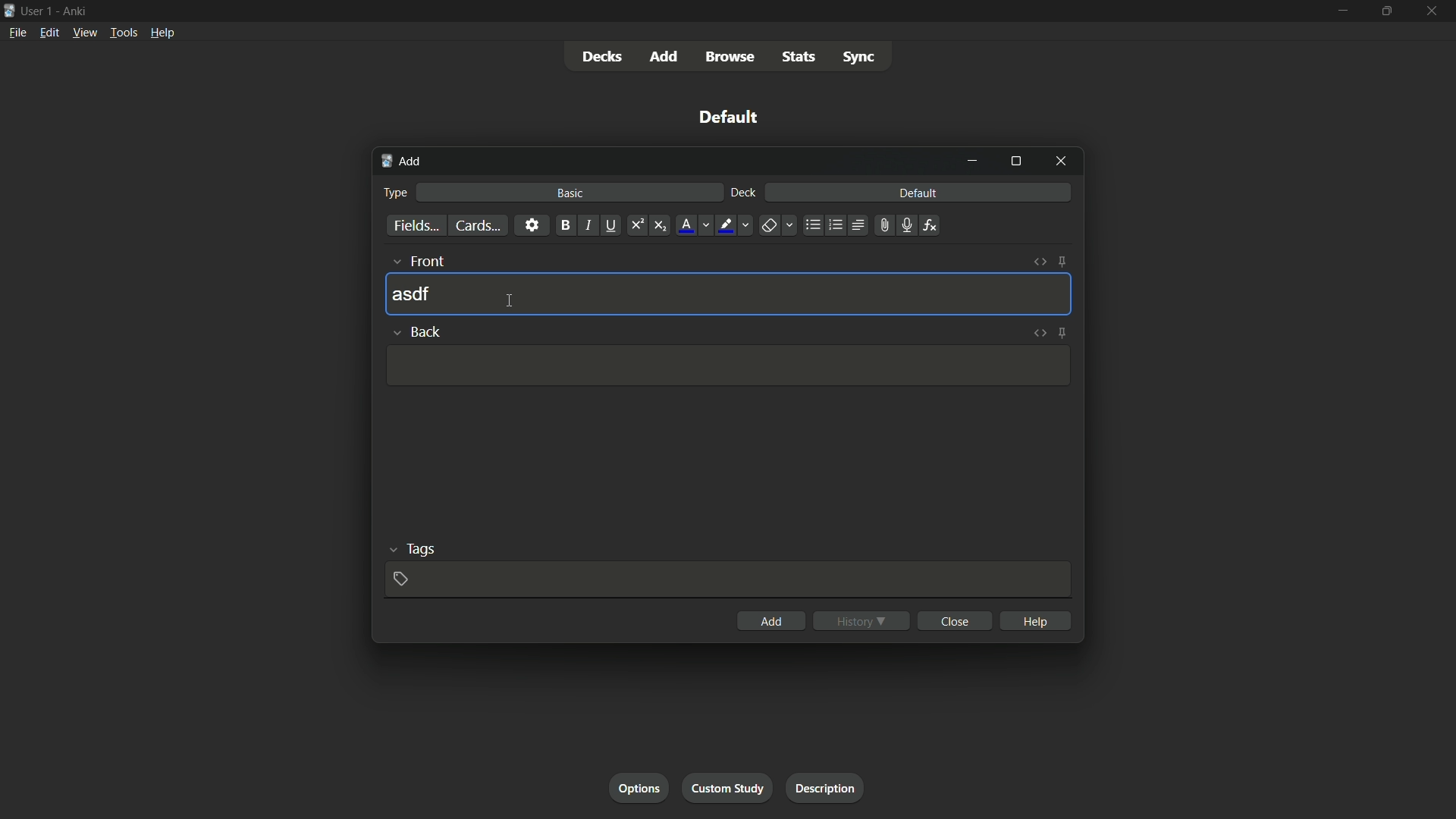 The height and width of the screenshot is (819, 1456). Describe the element at coordinates (564, 225) in the screenshot. I see `bold` at that location.